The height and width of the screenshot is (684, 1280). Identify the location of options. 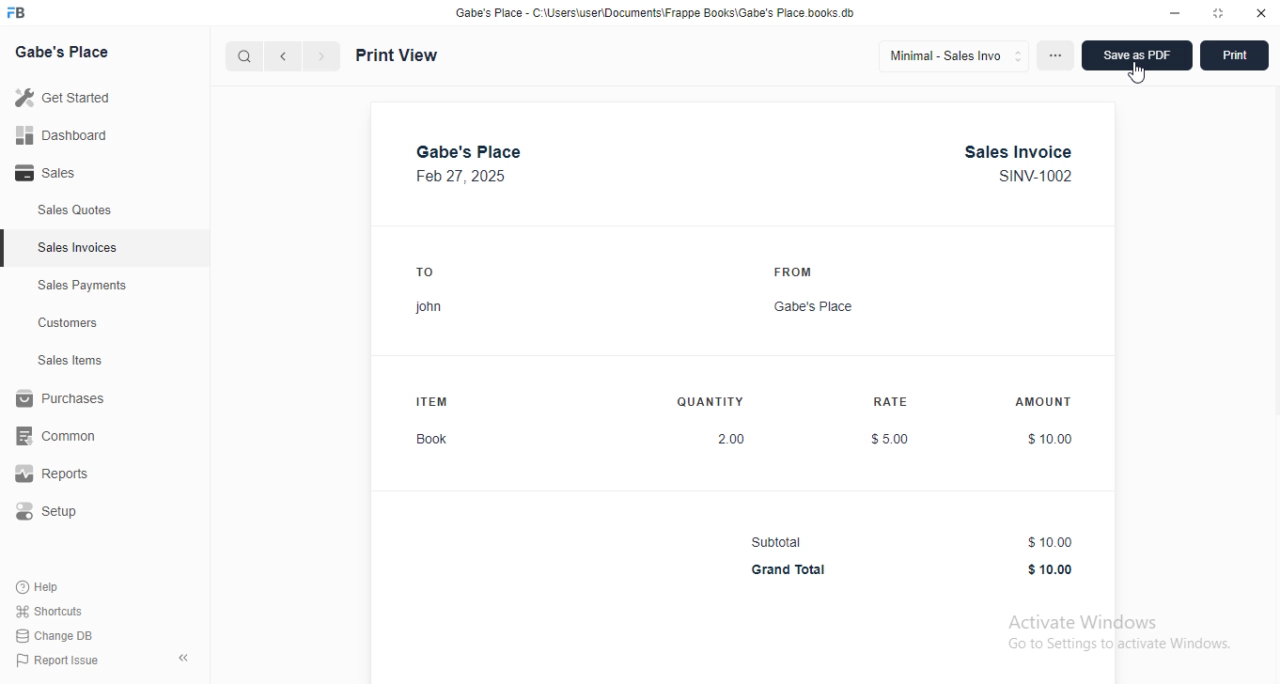
(1055, 55).